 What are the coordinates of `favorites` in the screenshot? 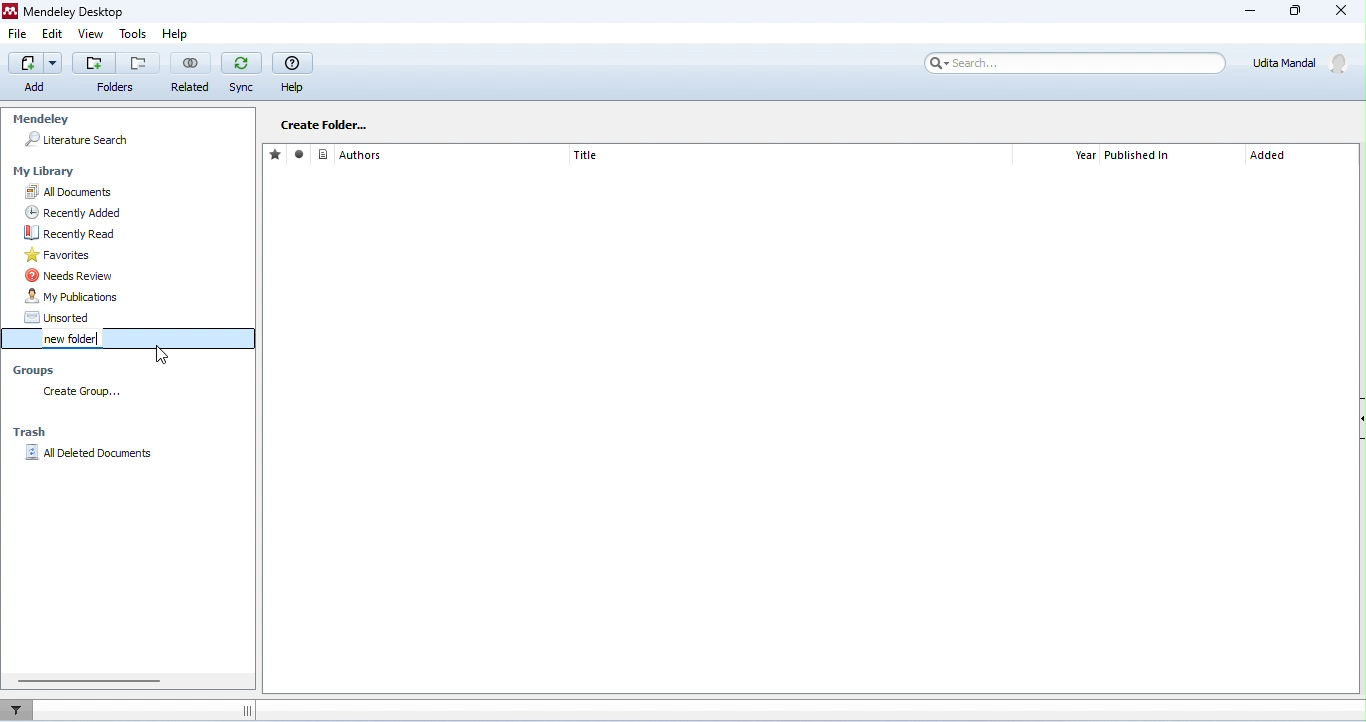 It's located at (134, 255).